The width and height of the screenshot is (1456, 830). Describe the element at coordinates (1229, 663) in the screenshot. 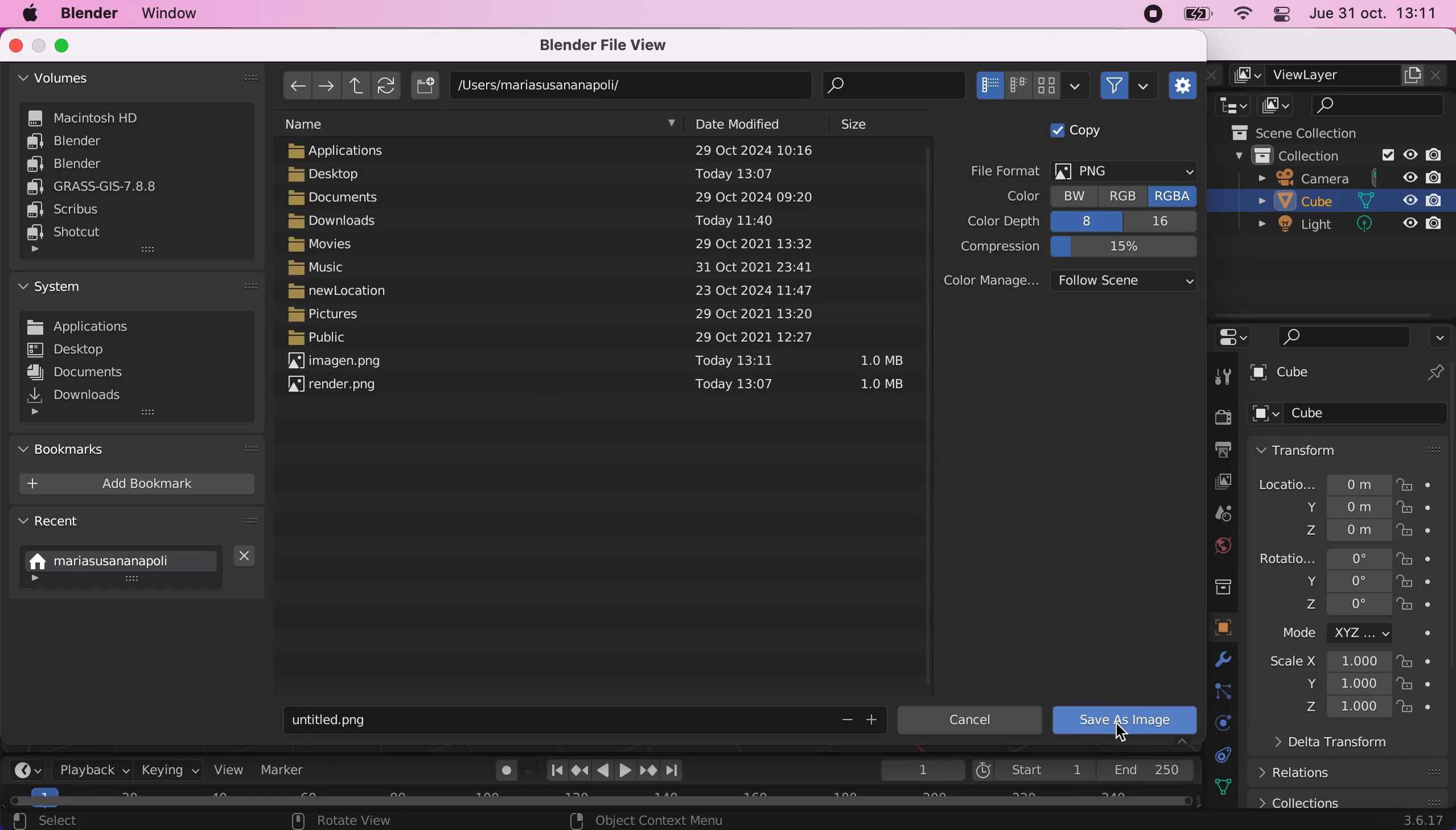

I see `physics` at that location.